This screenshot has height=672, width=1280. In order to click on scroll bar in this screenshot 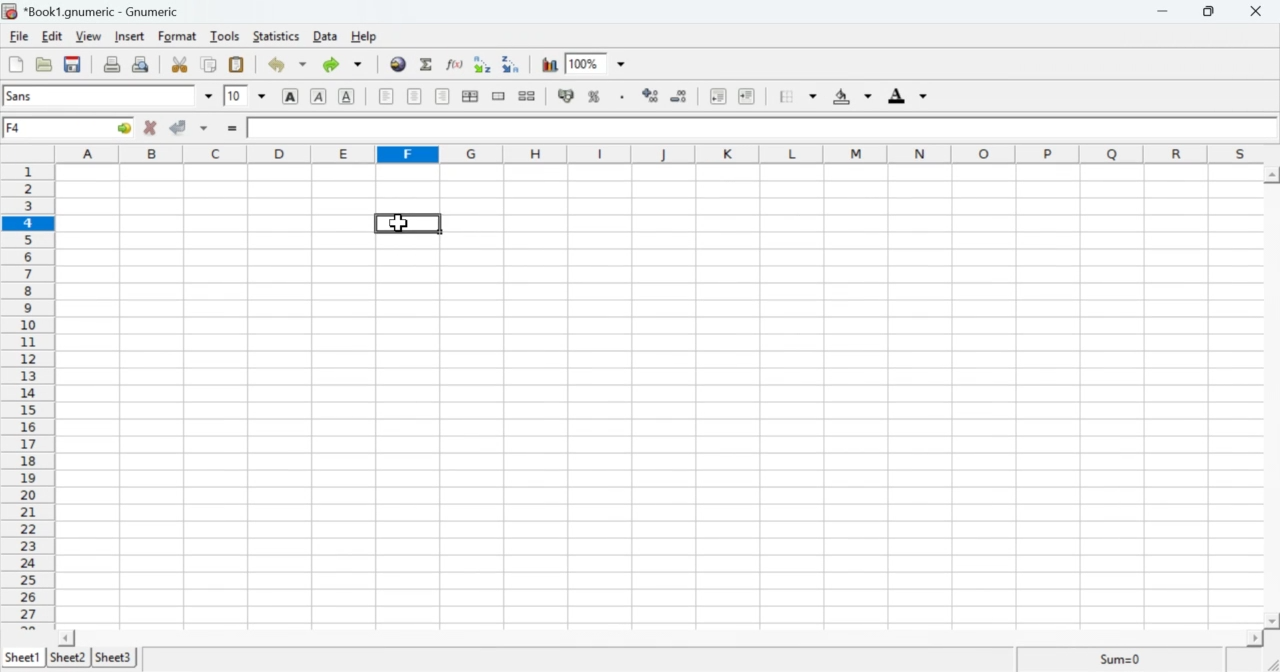, I will do `click(671, 638)`.